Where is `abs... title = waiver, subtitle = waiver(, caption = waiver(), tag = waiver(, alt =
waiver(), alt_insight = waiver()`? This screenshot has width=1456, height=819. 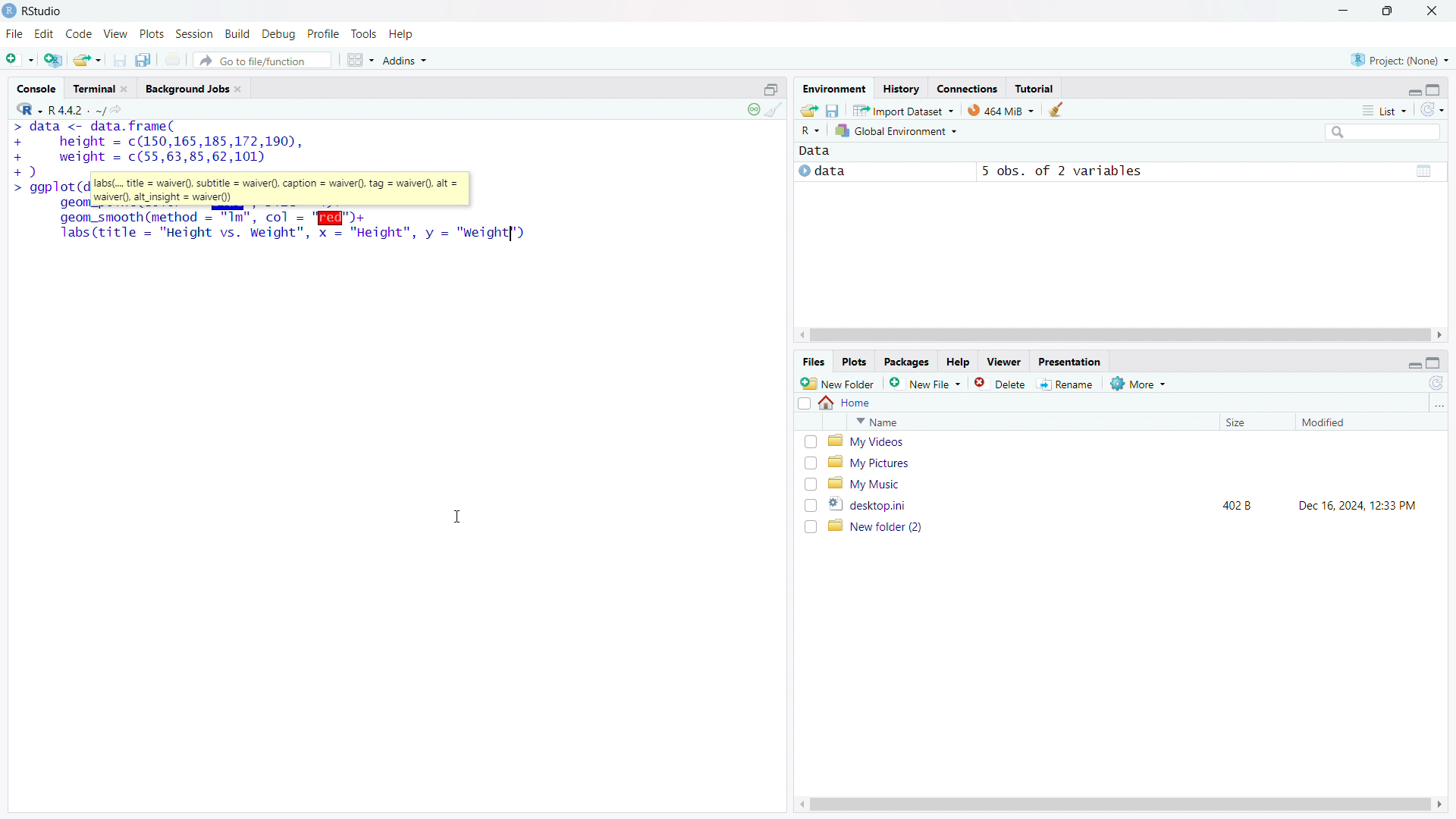
abs... title = waiver, subtitle = waiver(, caption = waiver(), tag = waiver(, alt =
waiver(), alt_insight = waiver() is located at coordinates (281, 190).